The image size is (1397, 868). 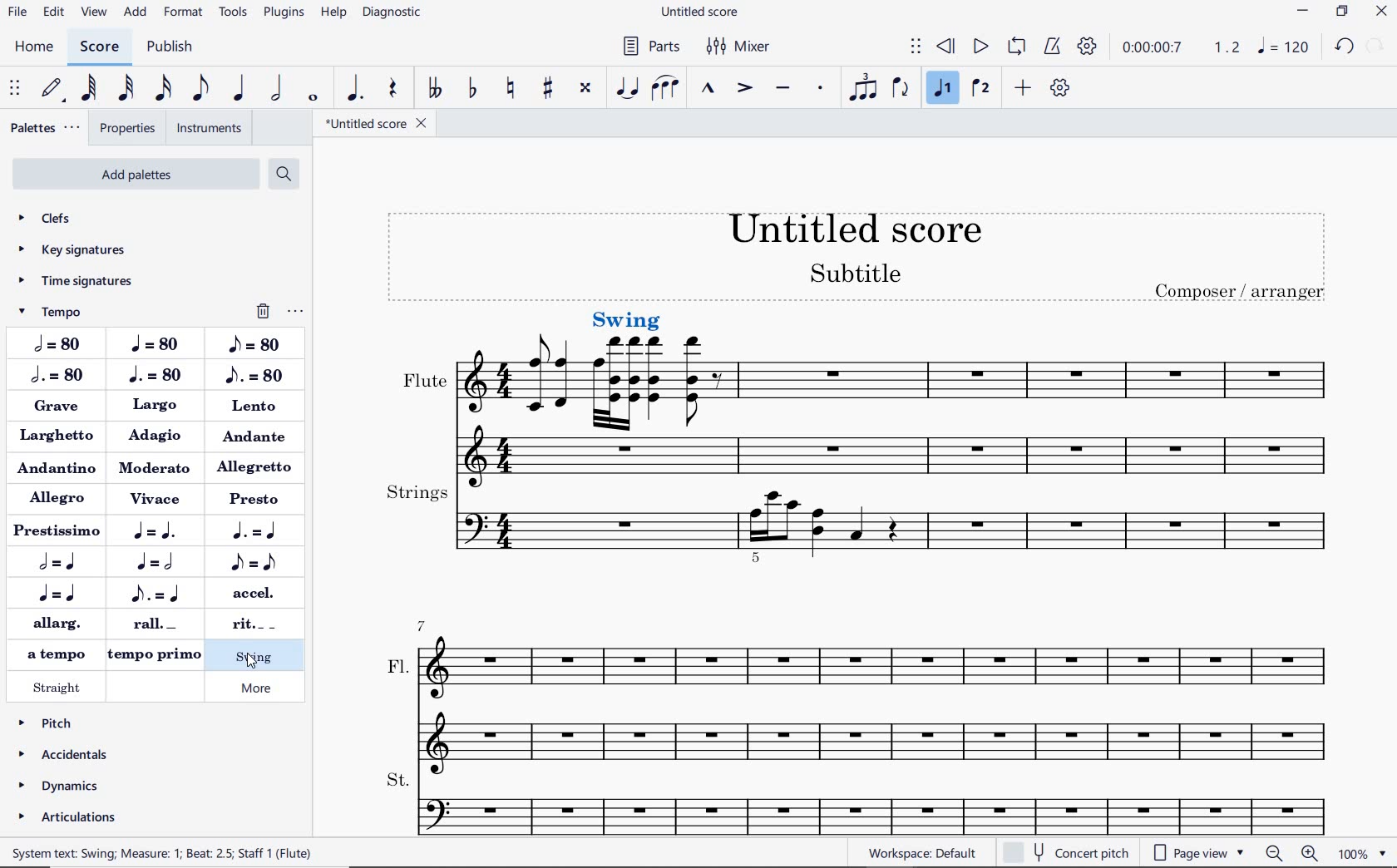 I want to click on METRIC MODULATION: QUARTER NOTE, so click(x=62, y=594).